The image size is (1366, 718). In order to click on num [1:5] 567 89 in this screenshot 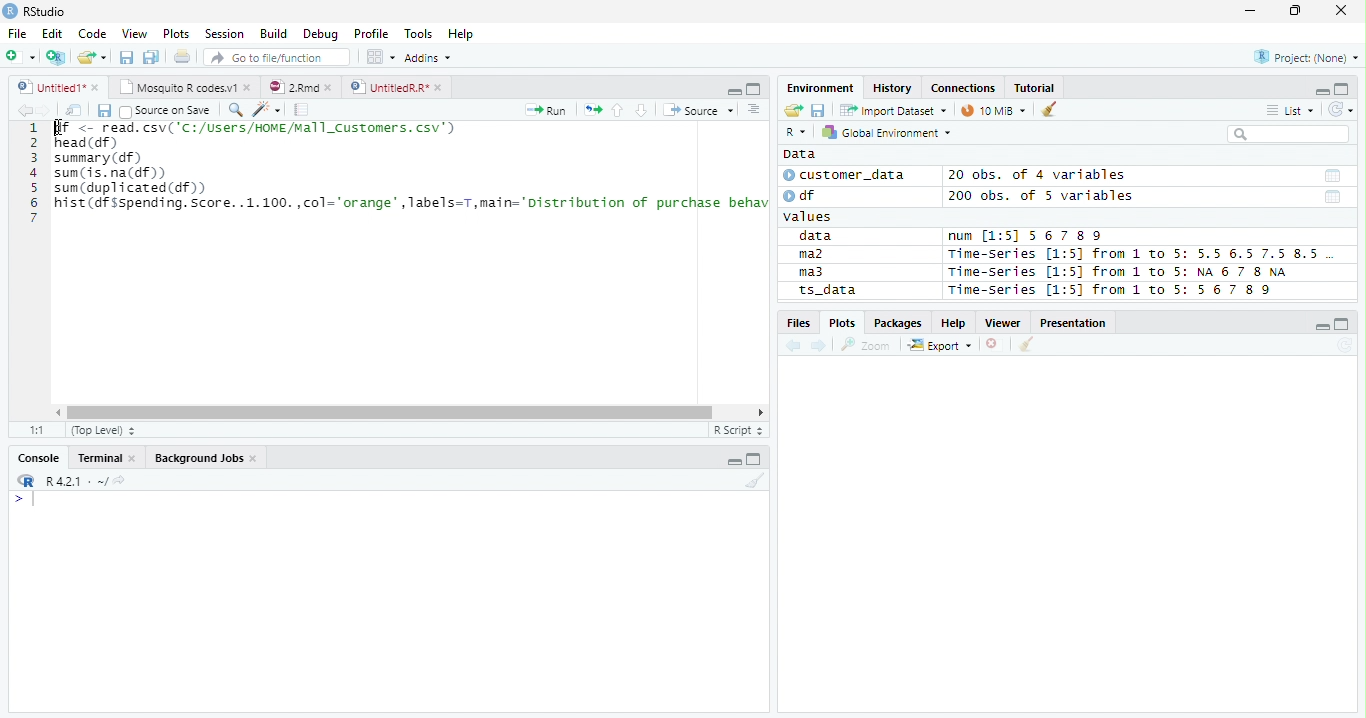, I will do `click(1026, 236)`.